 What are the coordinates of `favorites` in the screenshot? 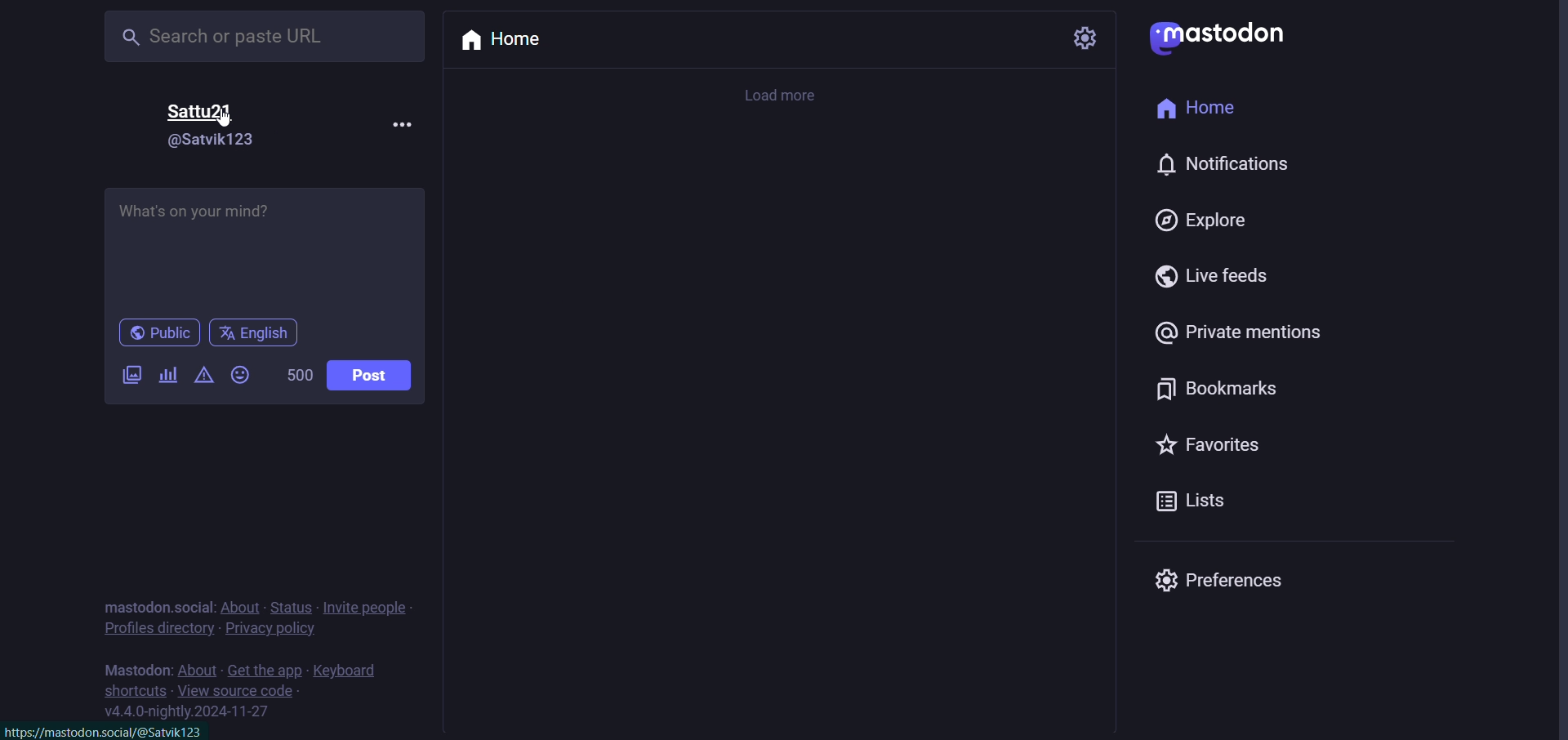 It's located at (1209, 447).